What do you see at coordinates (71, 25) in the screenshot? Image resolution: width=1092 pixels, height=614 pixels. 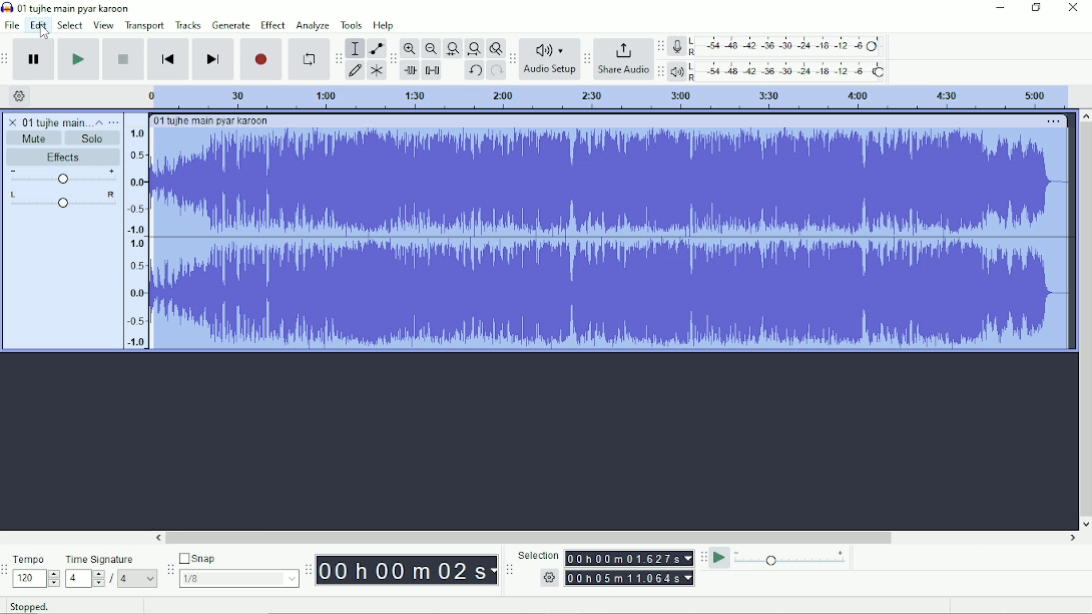 I see `Select` at bounding box center [71, 25].